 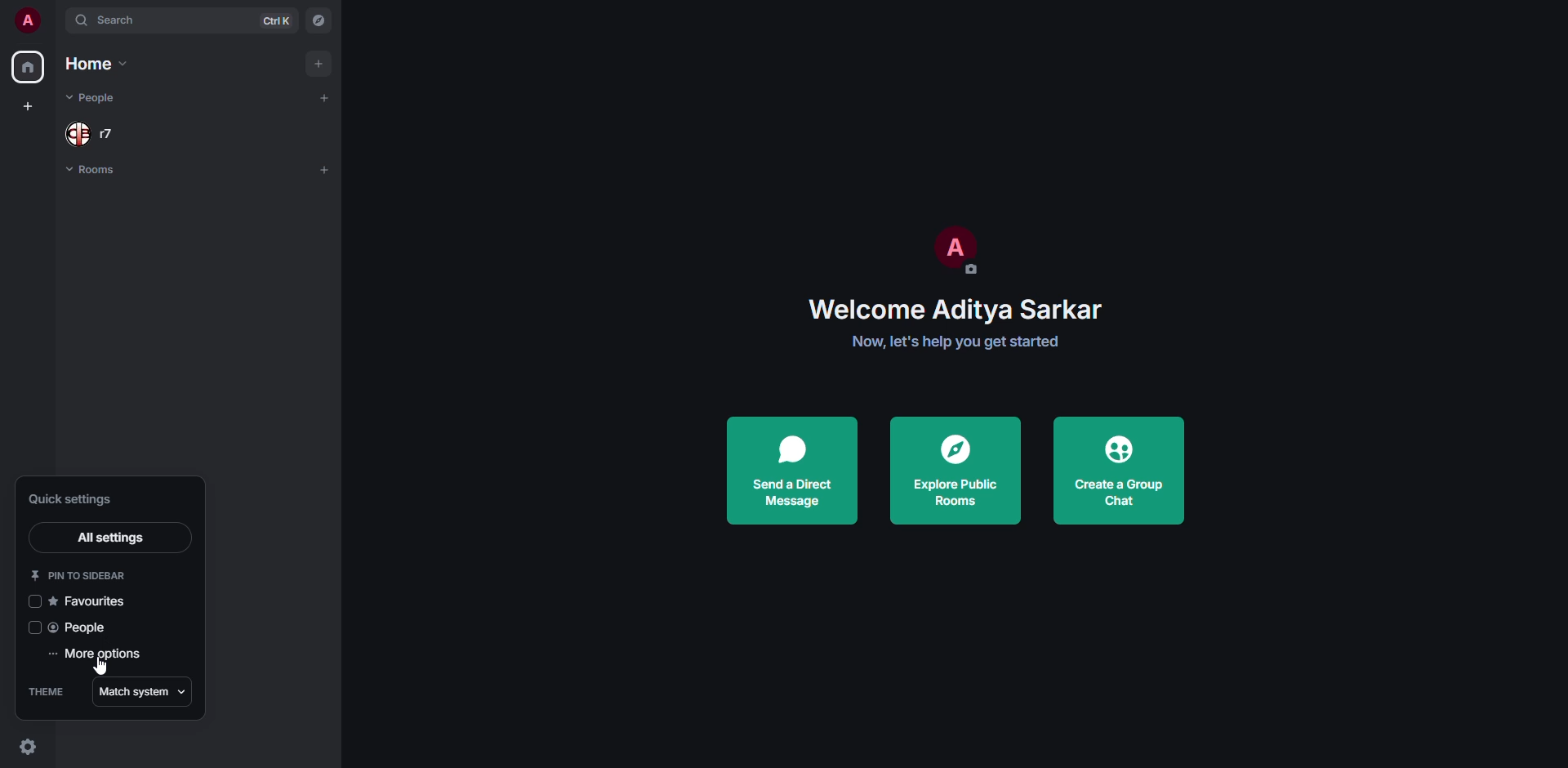 I want to click on rooms, so click(x=91, y=171).